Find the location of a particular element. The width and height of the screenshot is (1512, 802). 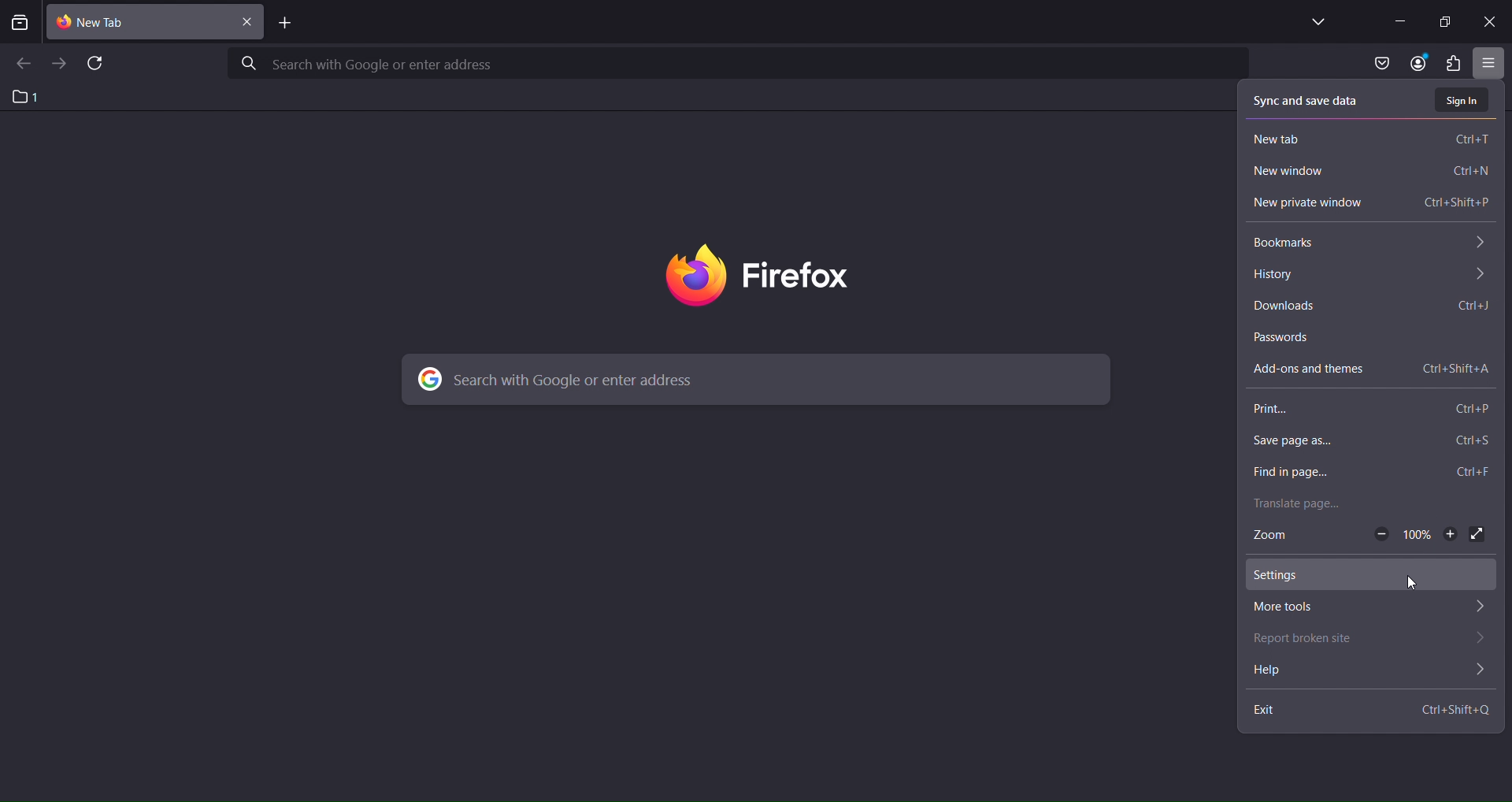

minimze is located at coordinates (1398, 20).